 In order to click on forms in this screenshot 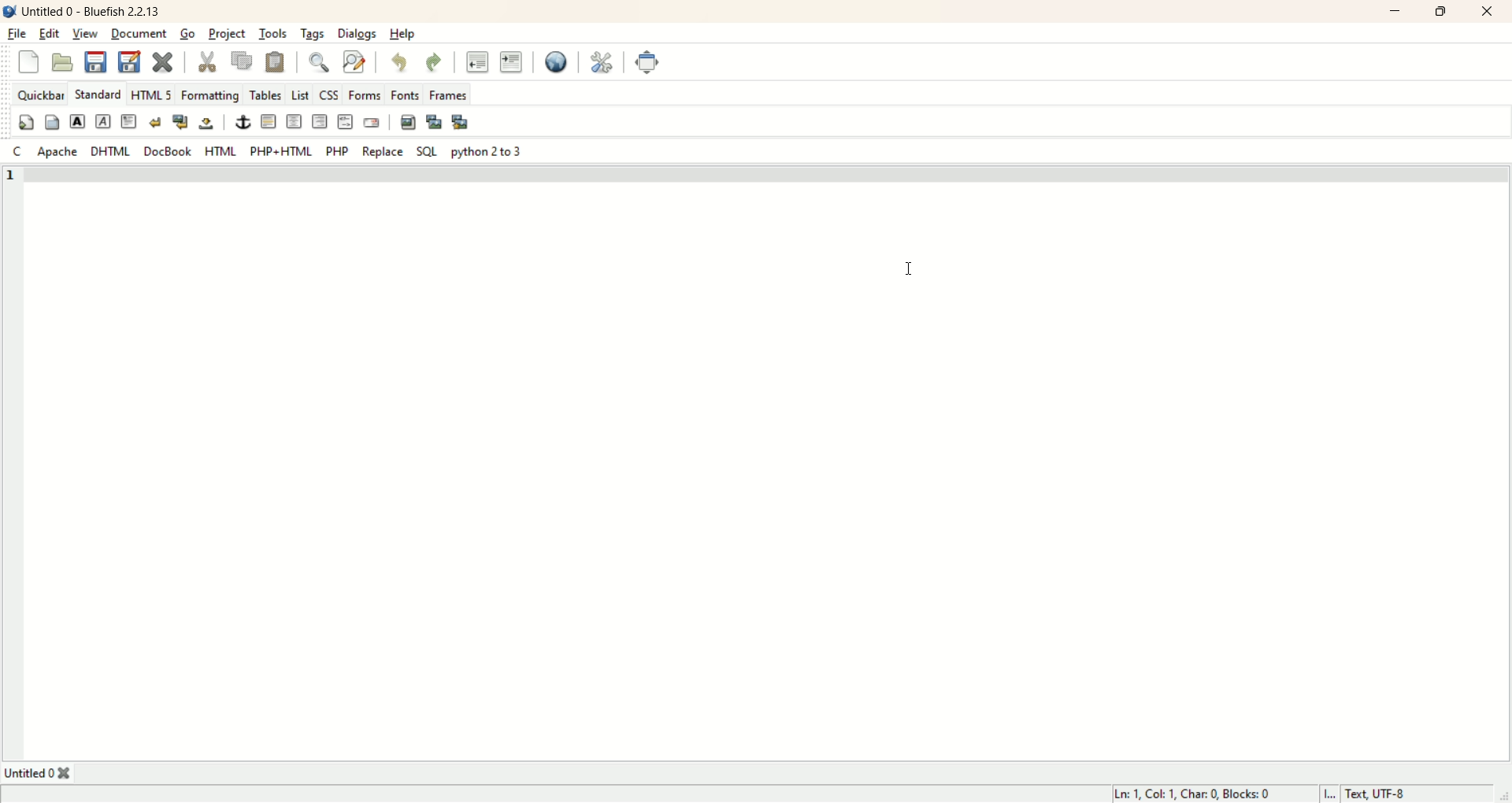, I will do `click(364, 94)`.